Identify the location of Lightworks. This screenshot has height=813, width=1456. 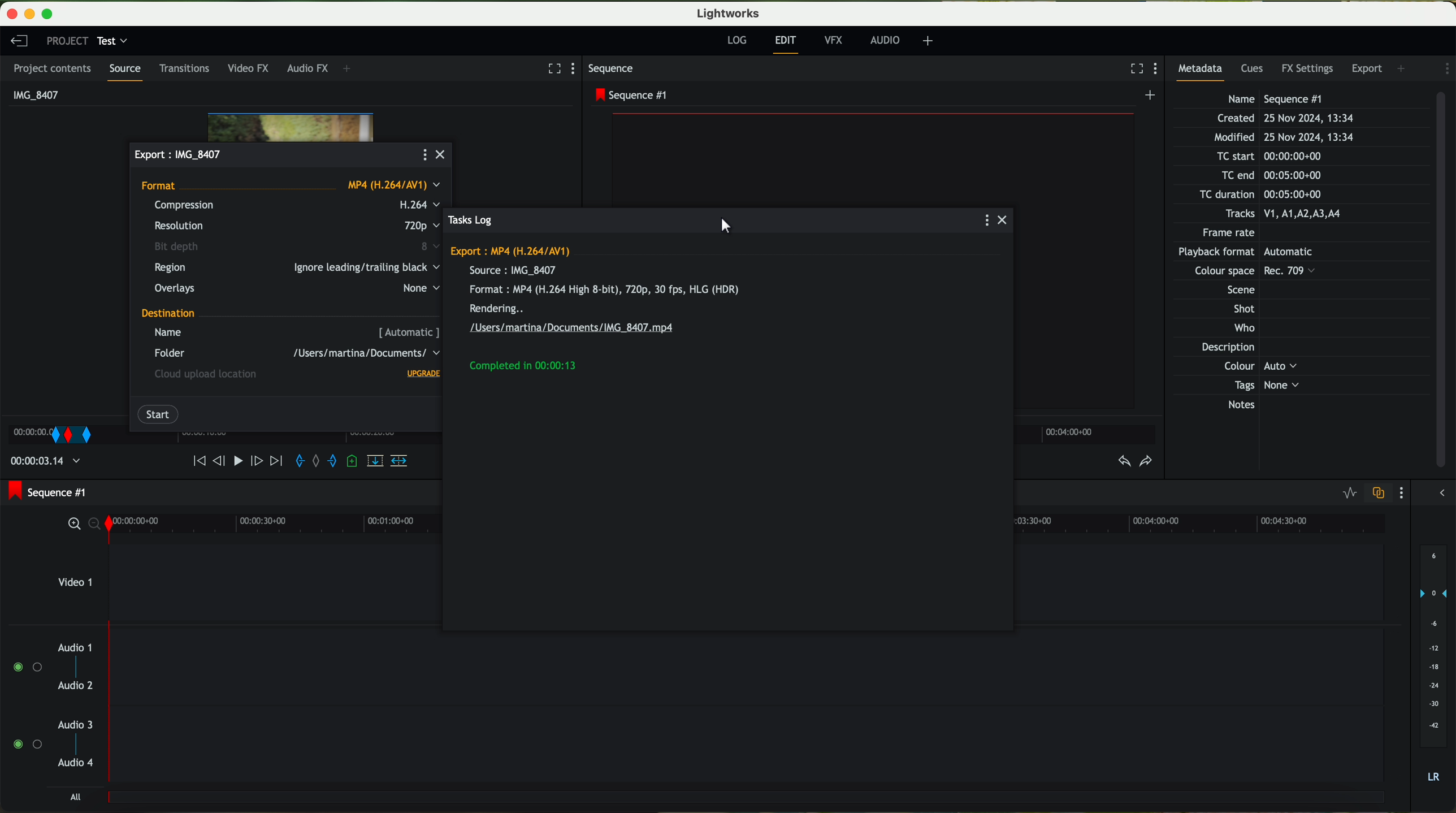
(727, 14).